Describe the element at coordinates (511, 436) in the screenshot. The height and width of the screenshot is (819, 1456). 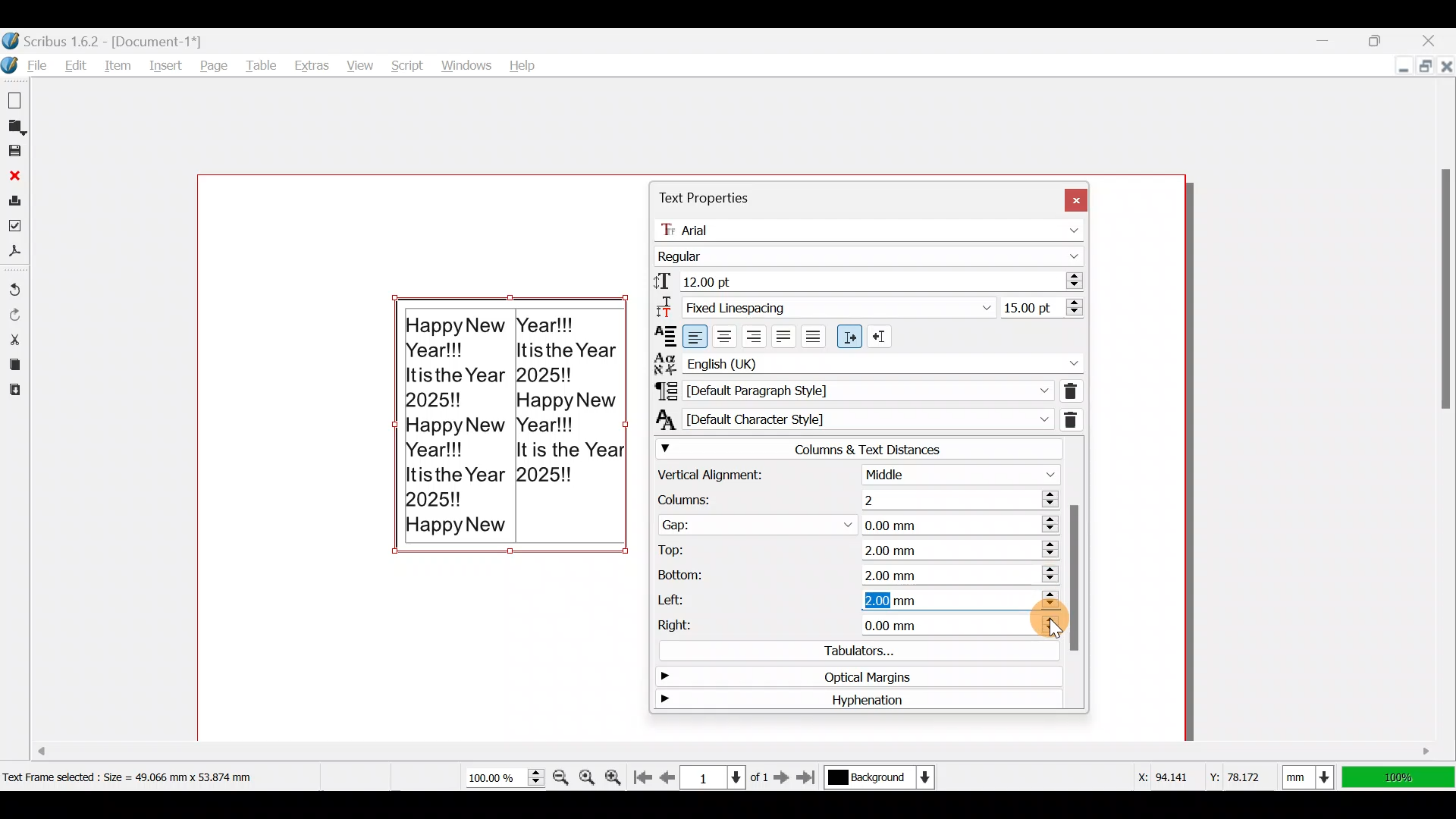
I see `Happy New Year` at that location.